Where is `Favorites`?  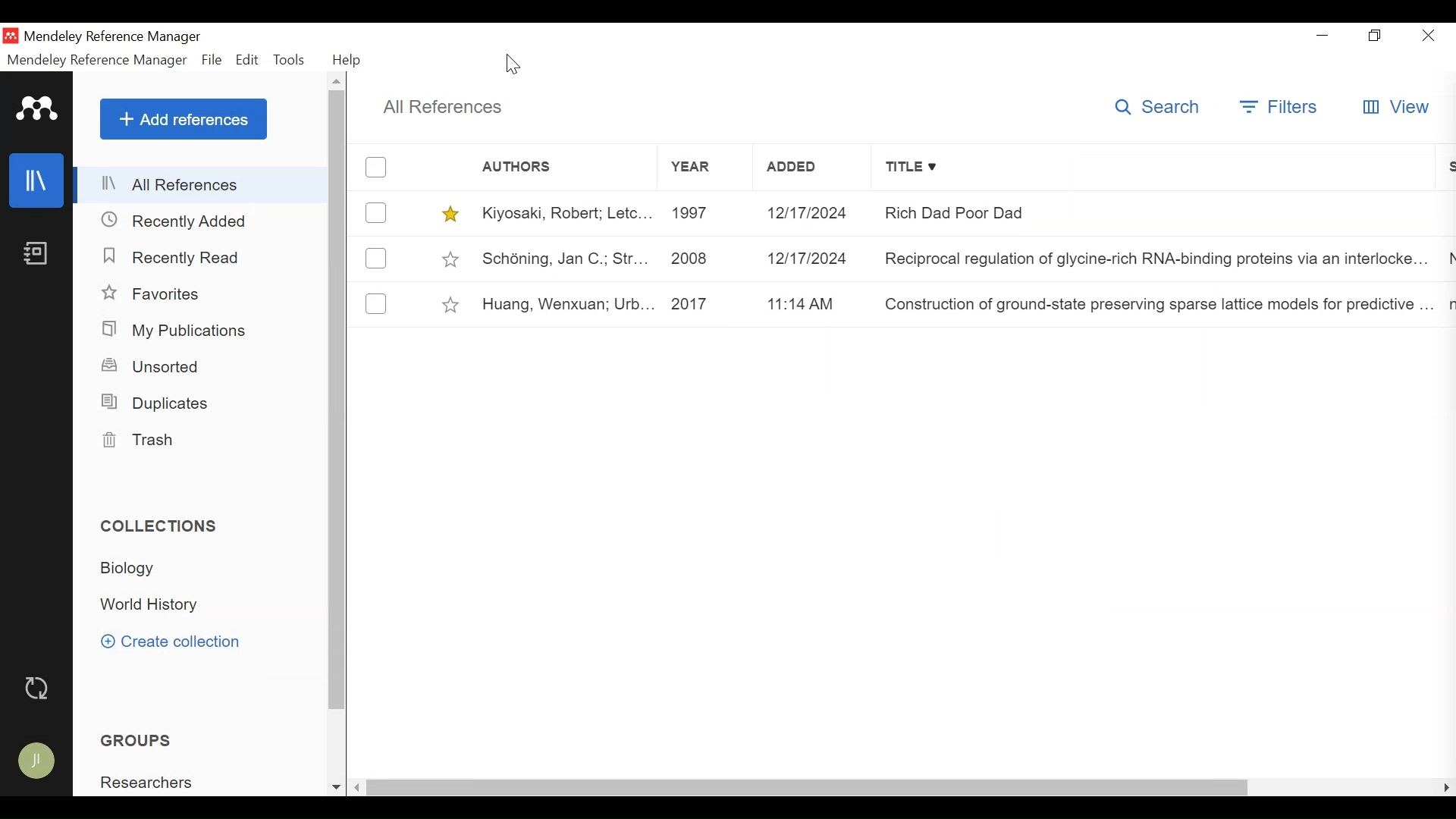
Favorites is located at coordinates (153, 294).